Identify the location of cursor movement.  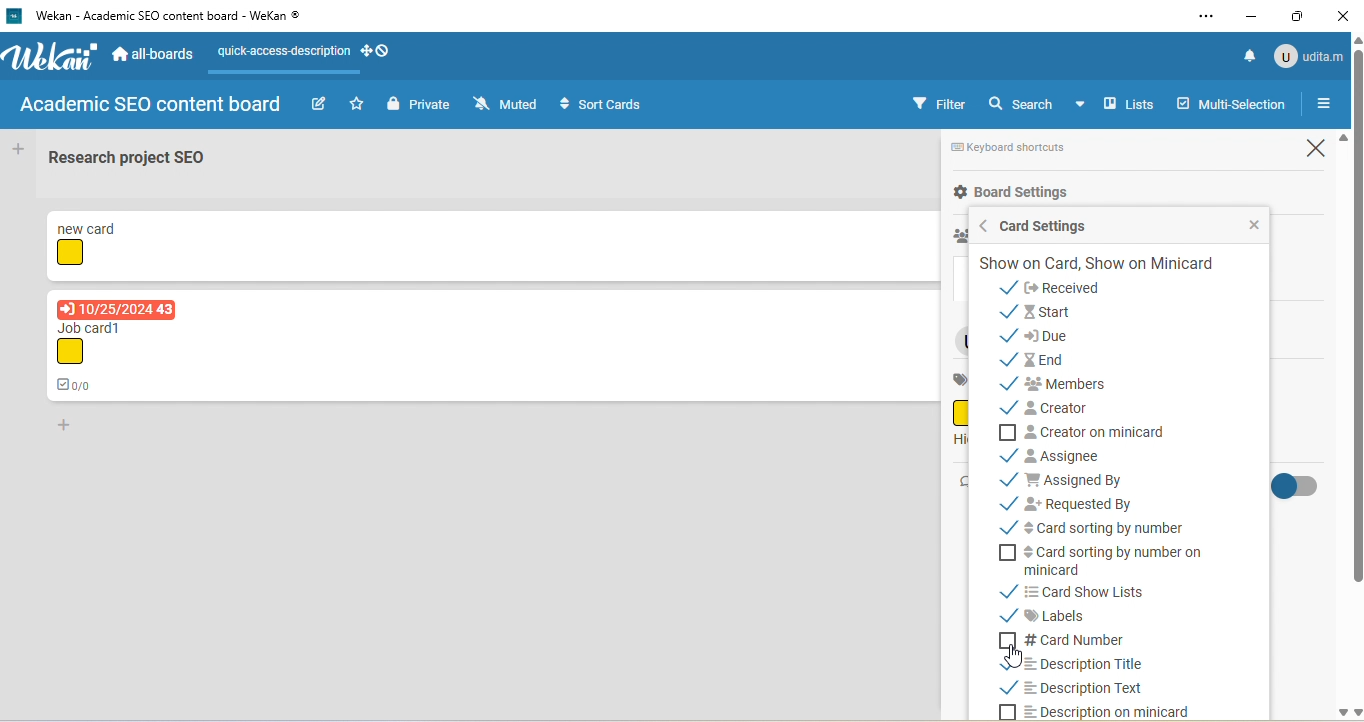
(1017, 656).